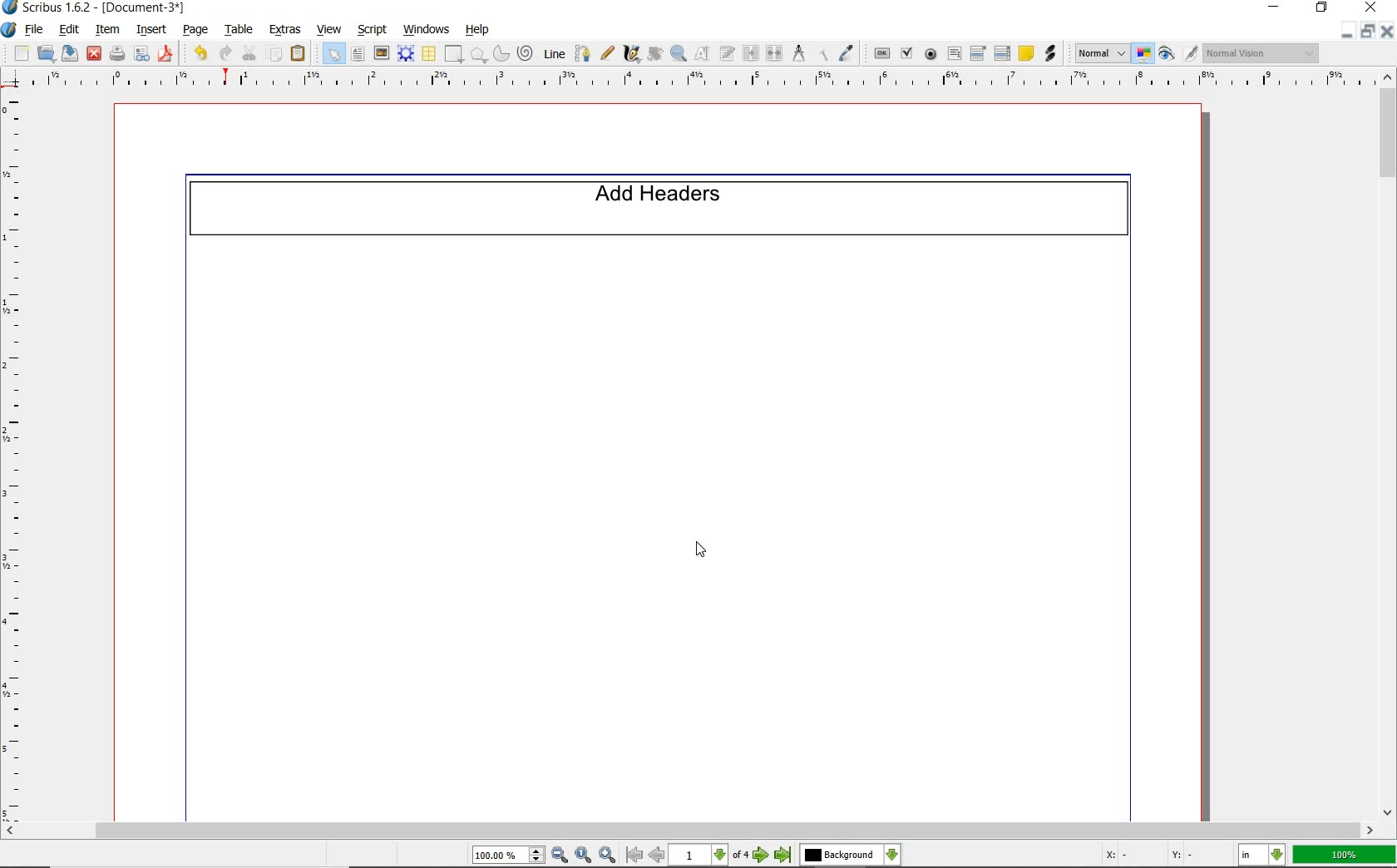 The width and height of the screenshot is (1397, 868). I want to click on view, so click(329, 28).